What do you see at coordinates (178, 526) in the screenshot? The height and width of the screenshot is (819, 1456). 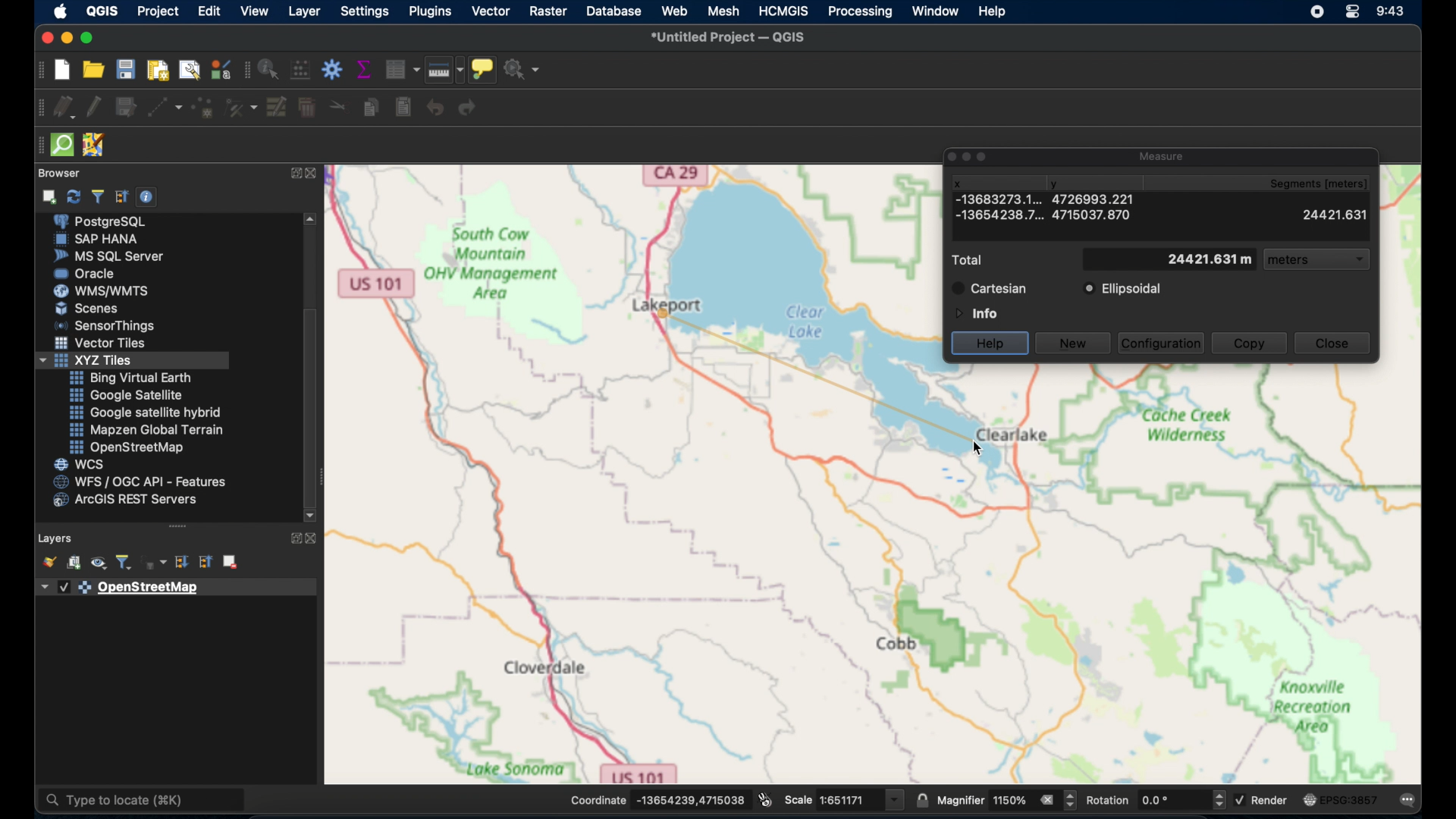 I see `drag handle` at bounding box center [178, 526].